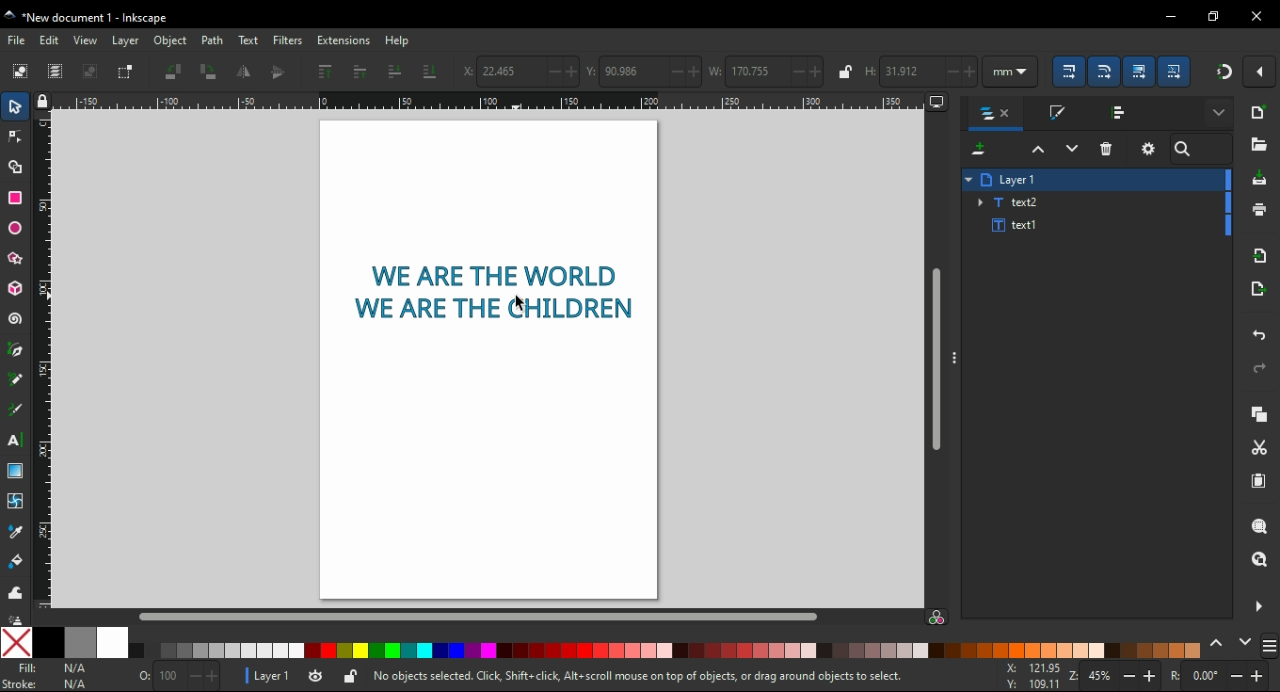  What do you see at coordinates (843, 72) in the screenshot?
I see `lock` at bounding box center [843, 72].